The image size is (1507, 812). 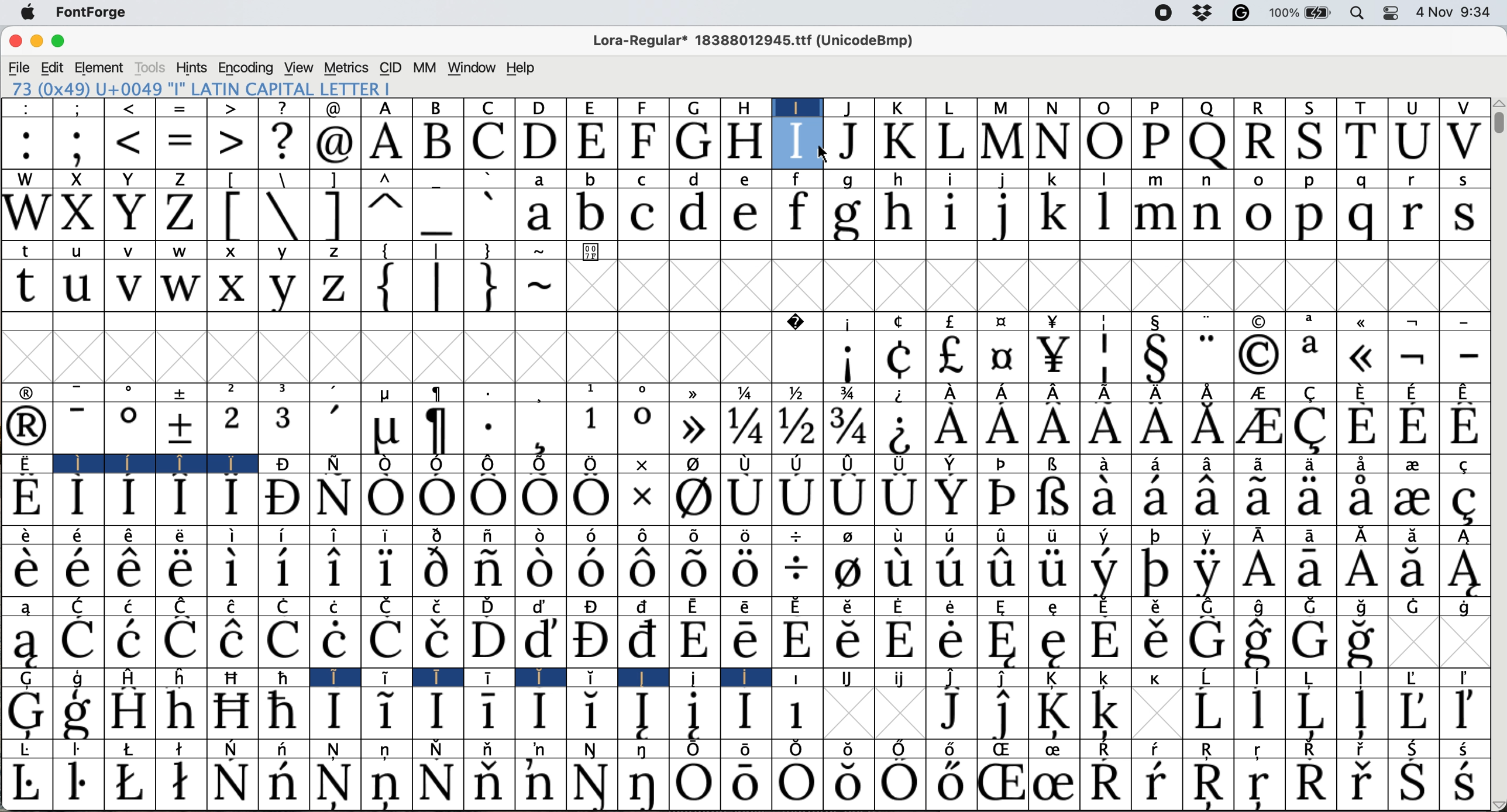 I want to click on -, so click(x=80, y=391).